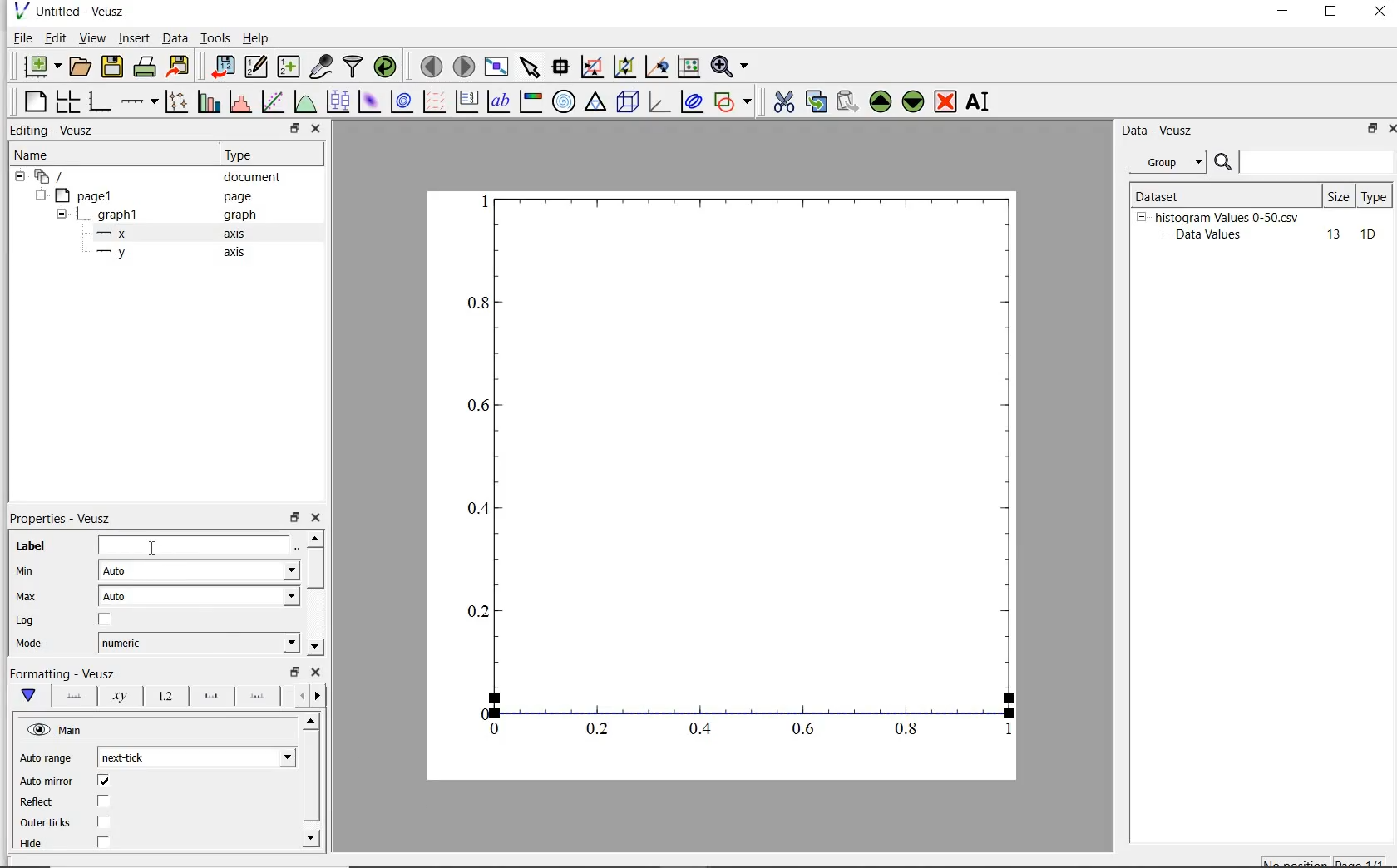  Describe the element at coordinates (113, 65) in the screenshot. I see `save` at that location.